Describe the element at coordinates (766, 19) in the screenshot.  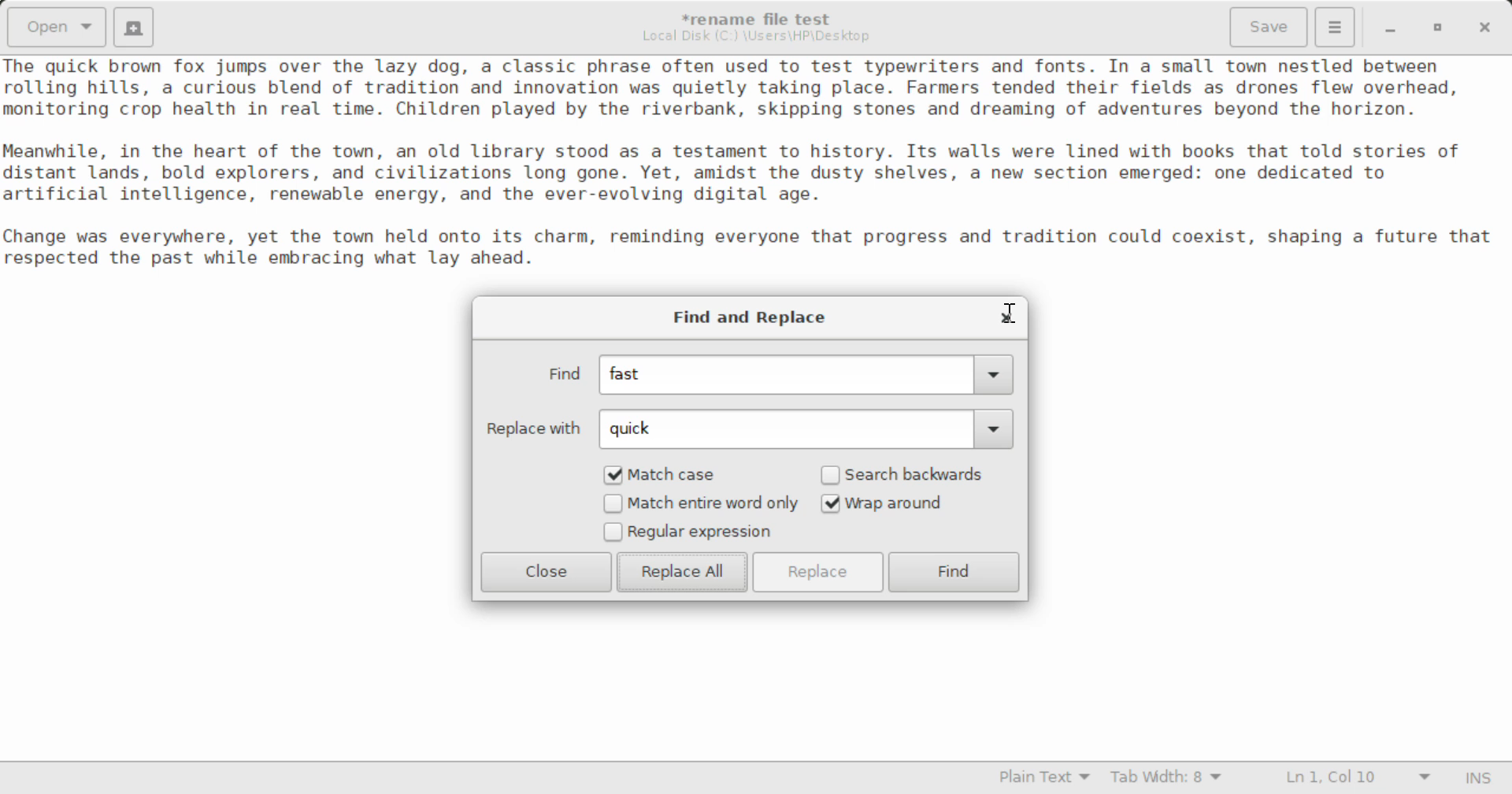
I see `*rename file test` at that location.